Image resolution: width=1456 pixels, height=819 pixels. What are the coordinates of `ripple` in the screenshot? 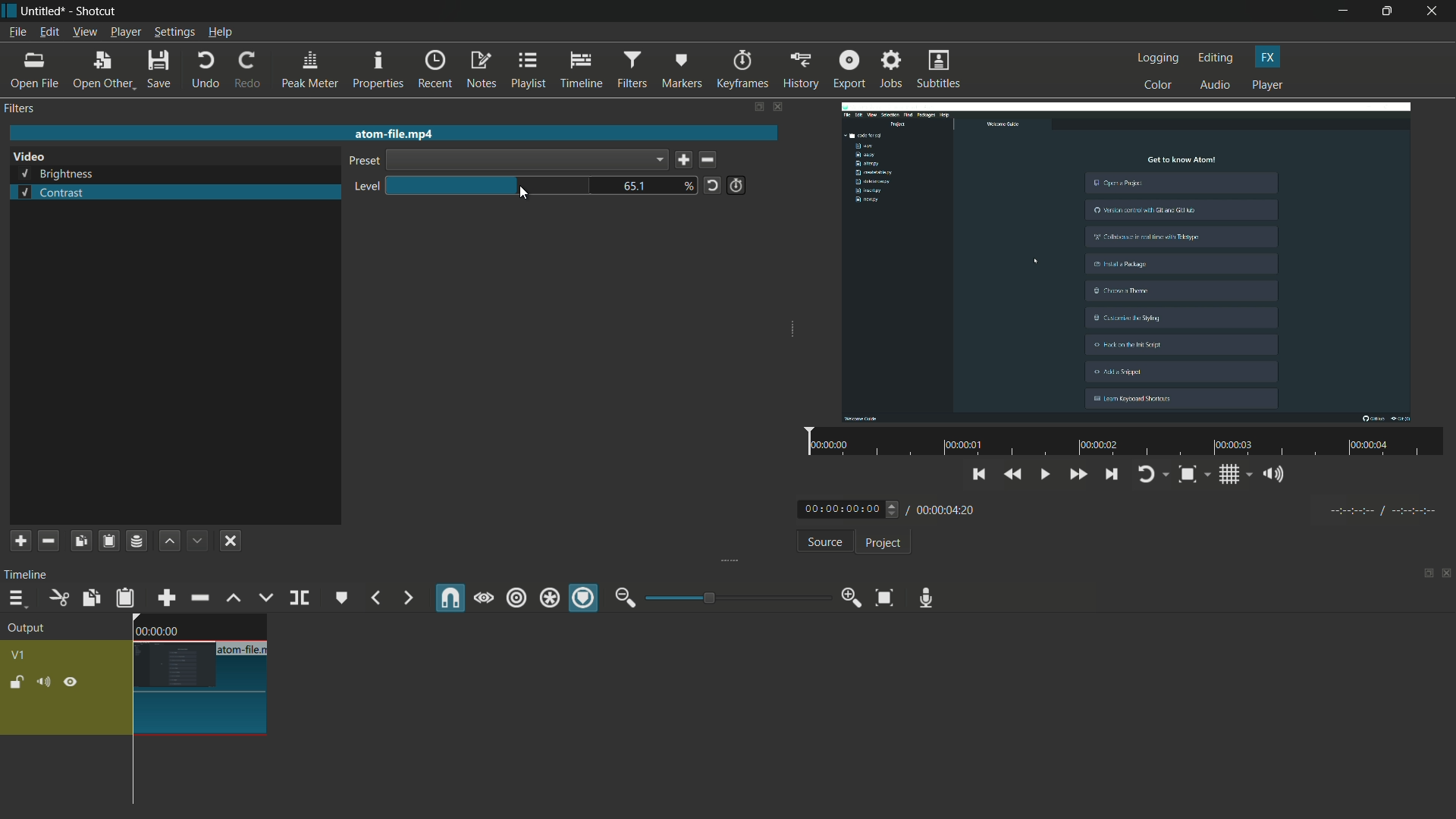 It's located at (516, 598).